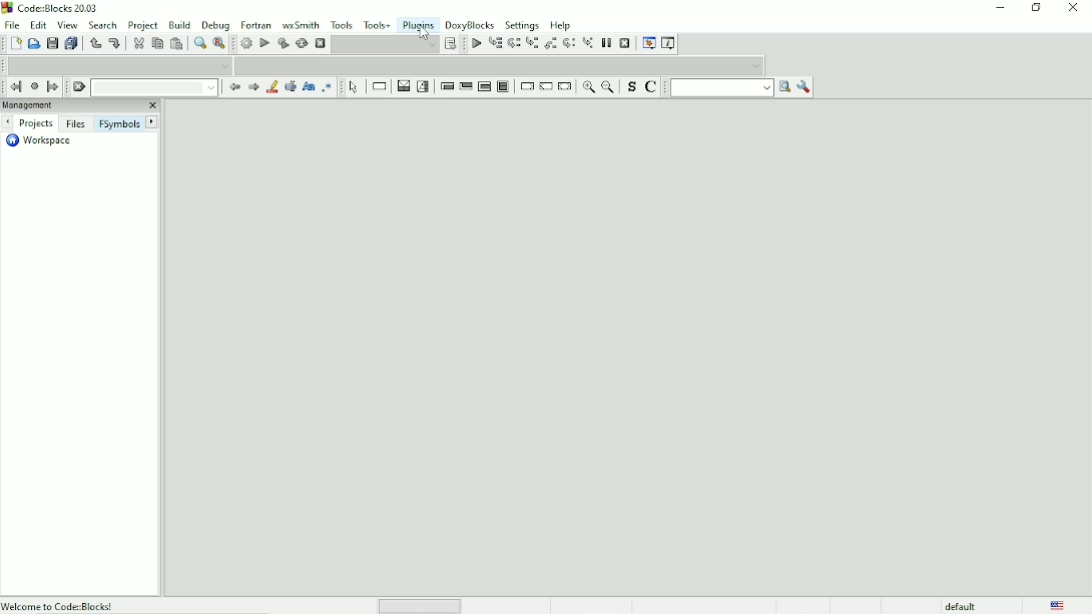  What do you see at coordinates (343, 24) in the screenshot?
I see `Tools` at bounding box center [343, 24].